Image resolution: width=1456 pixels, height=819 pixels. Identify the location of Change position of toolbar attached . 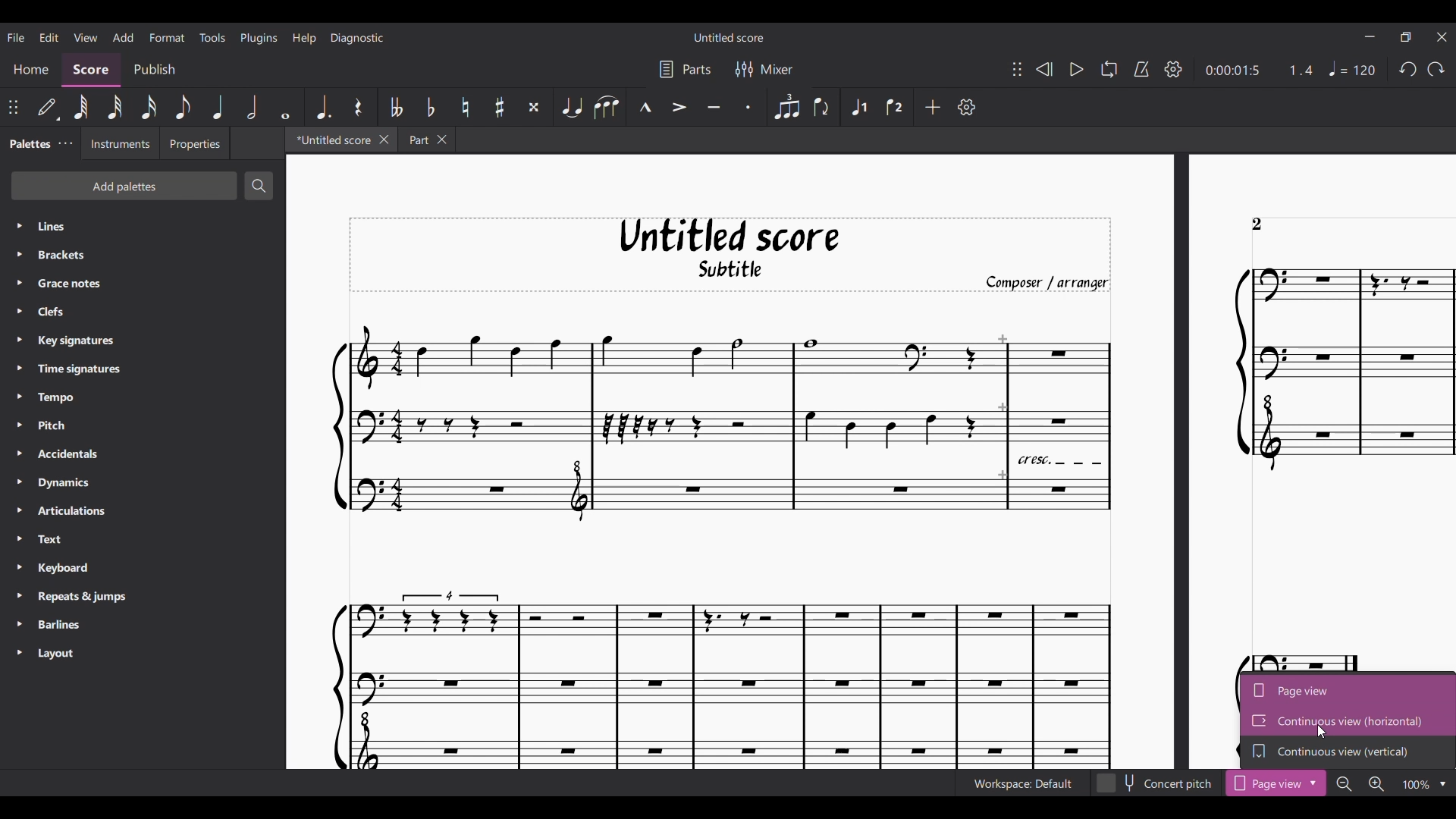
(1017, 68).